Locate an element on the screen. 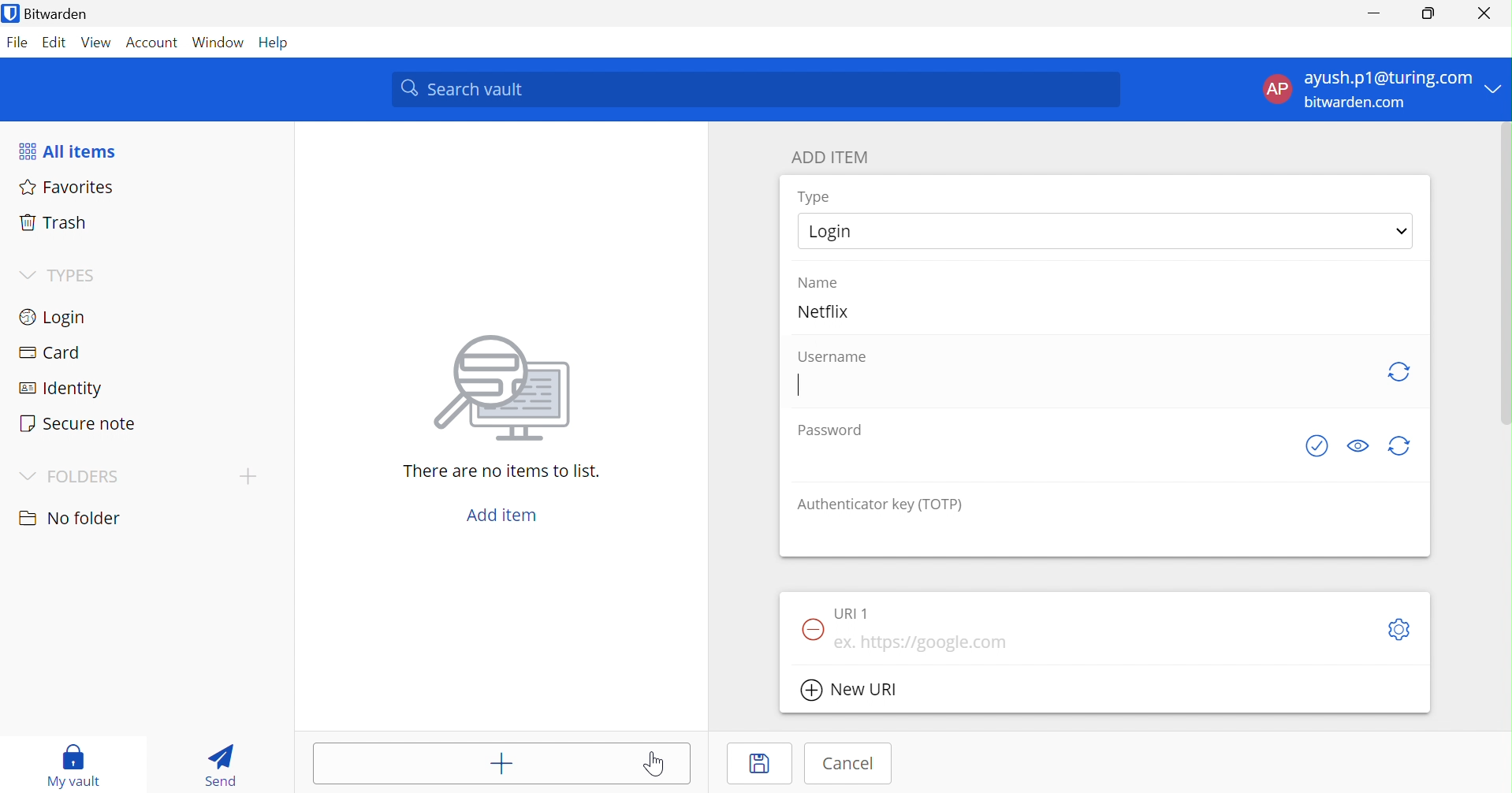 Image resolution: width=1512 pixels, height=793 pixels. Bitwarden is located at coordinates (46, 13).